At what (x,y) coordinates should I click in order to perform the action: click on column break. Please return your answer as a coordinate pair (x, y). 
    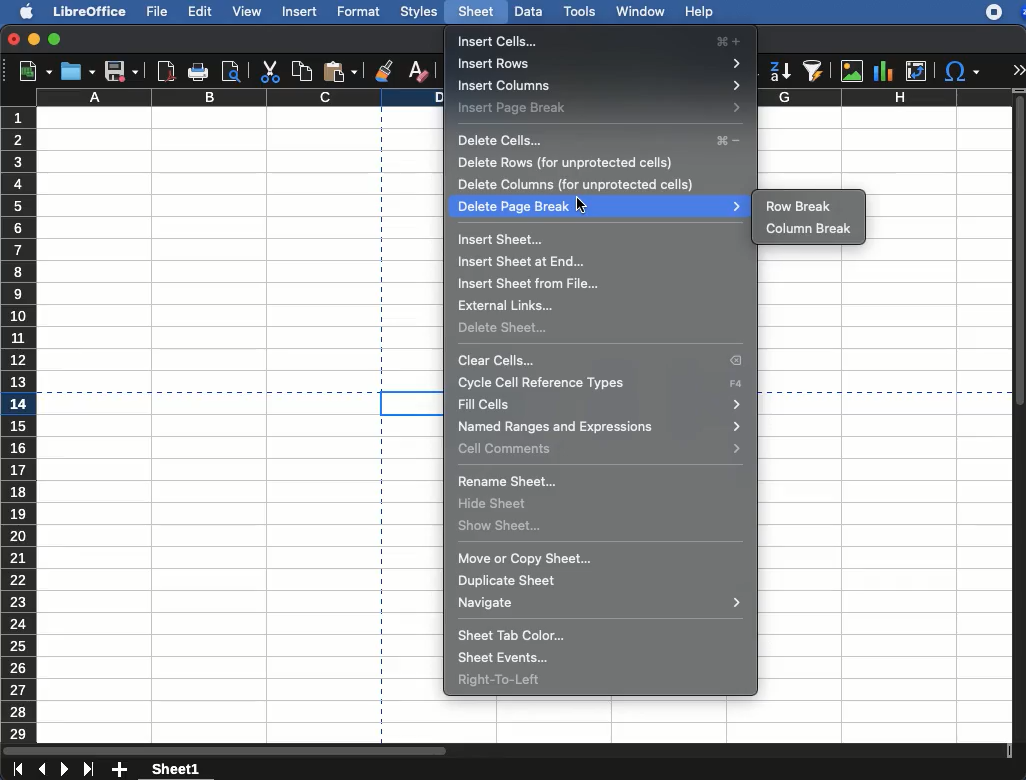
    Looking at the image, I should click on (809, 230).